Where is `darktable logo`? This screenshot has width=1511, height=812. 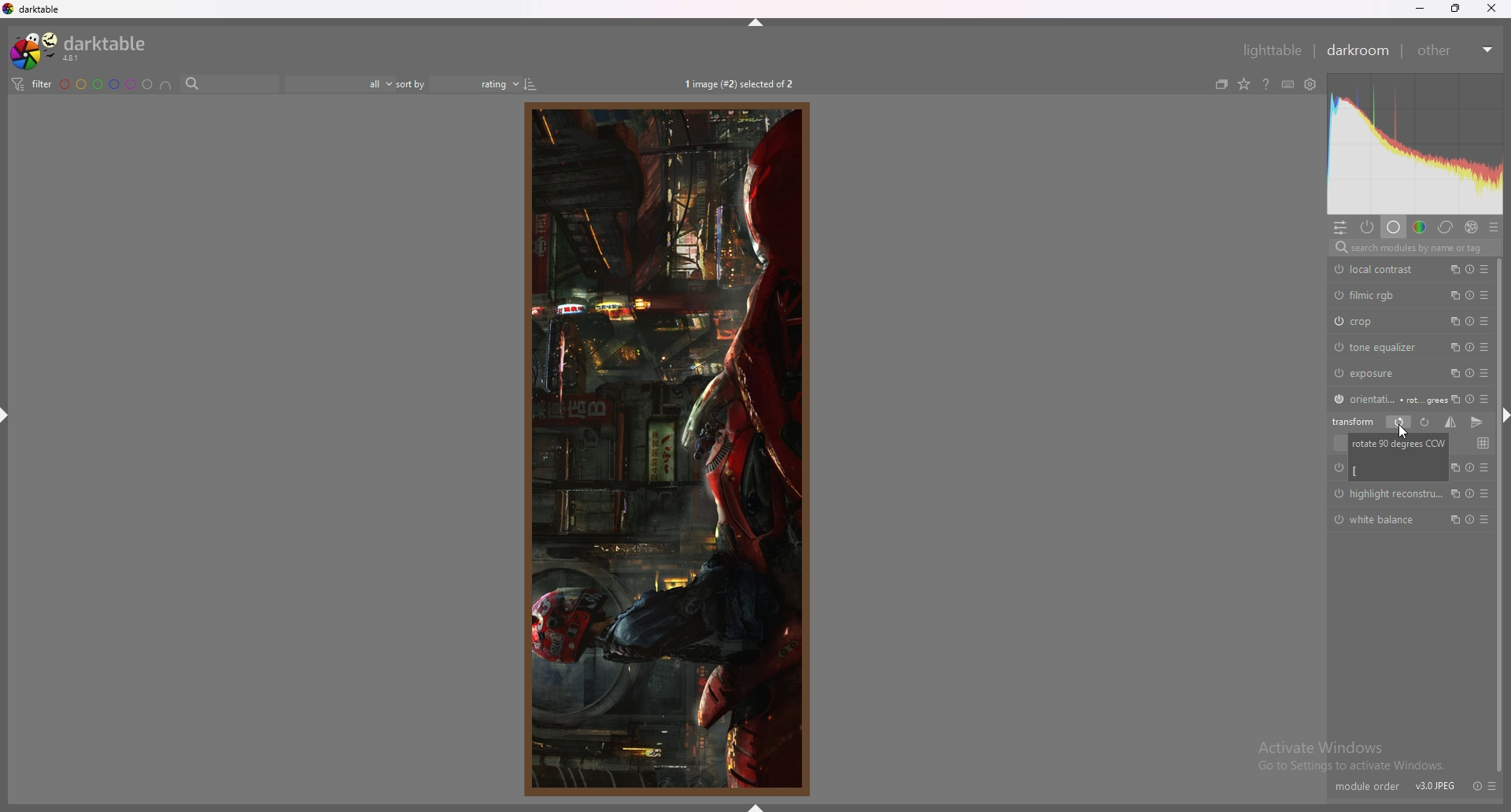
darktable logo is located at coordinates (9, 10).